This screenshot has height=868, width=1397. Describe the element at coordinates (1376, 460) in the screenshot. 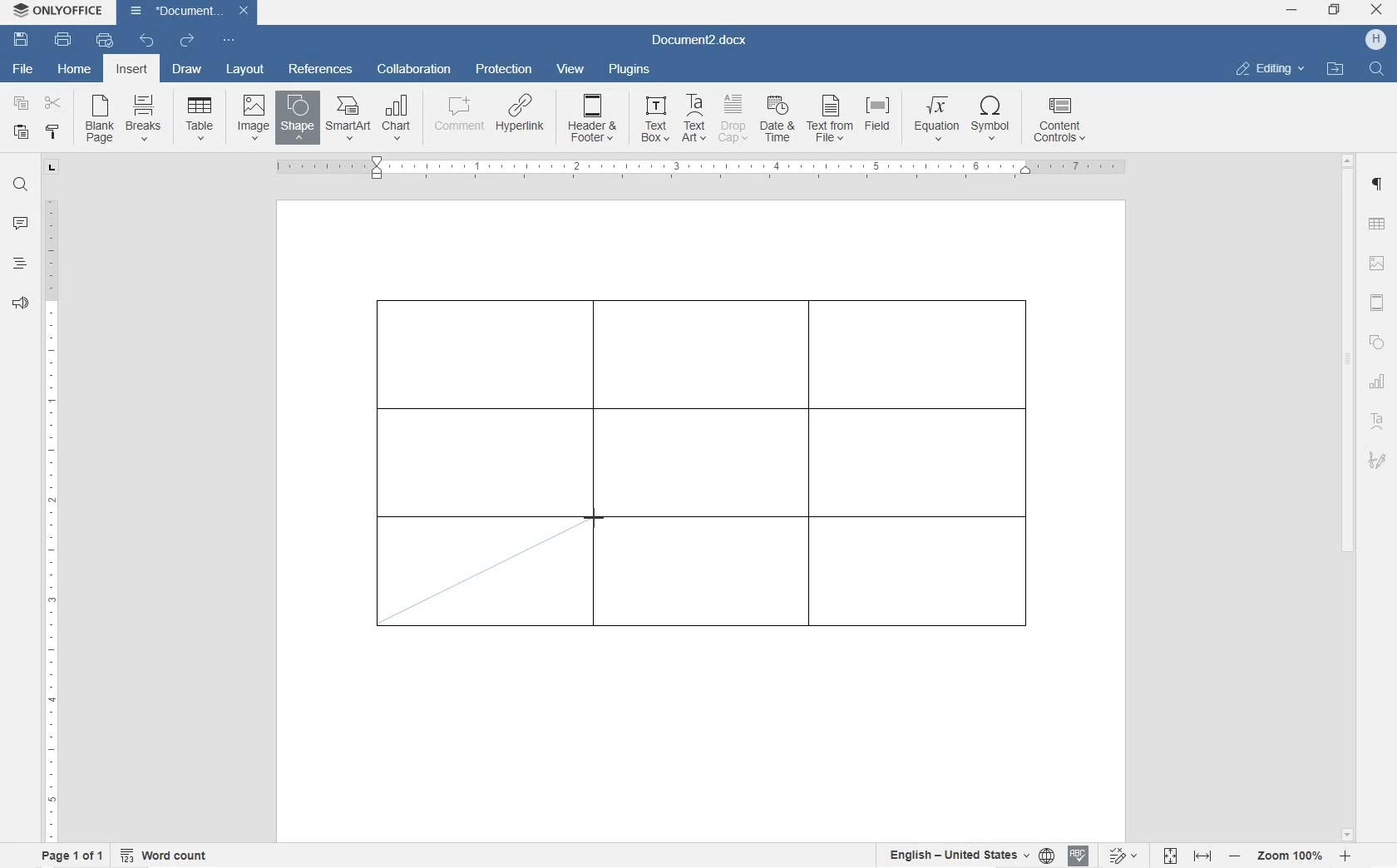

I see `signature` at that location.